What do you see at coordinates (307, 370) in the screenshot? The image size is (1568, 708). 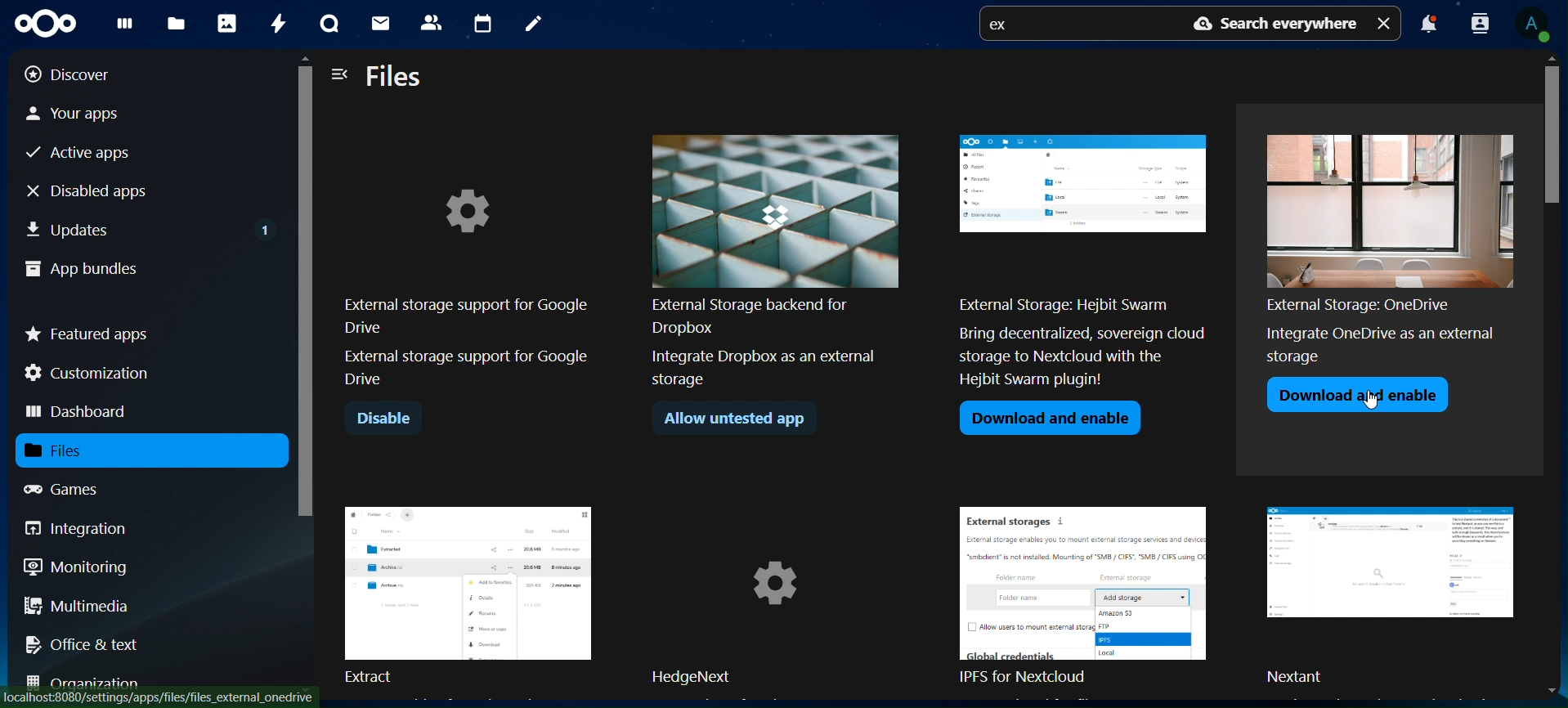 I see `scrollbar` at bounding box center [307, 370].